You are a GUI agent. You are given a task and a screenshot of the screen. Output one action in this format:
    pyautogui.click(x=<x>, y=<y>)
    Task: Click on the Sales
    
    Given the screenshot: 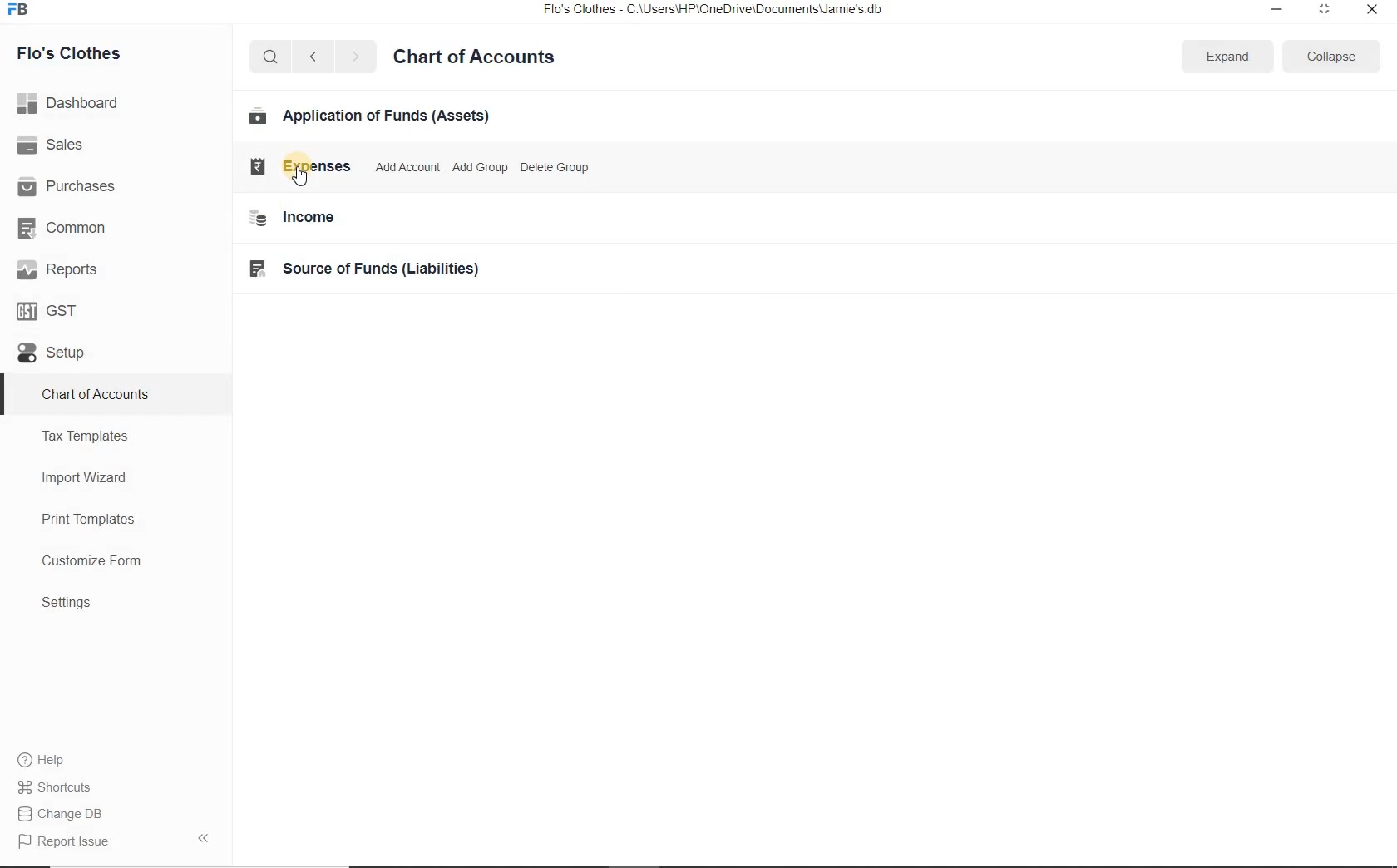 What is the action you would take?
    pyautogui.click(x=53, y=145)
    